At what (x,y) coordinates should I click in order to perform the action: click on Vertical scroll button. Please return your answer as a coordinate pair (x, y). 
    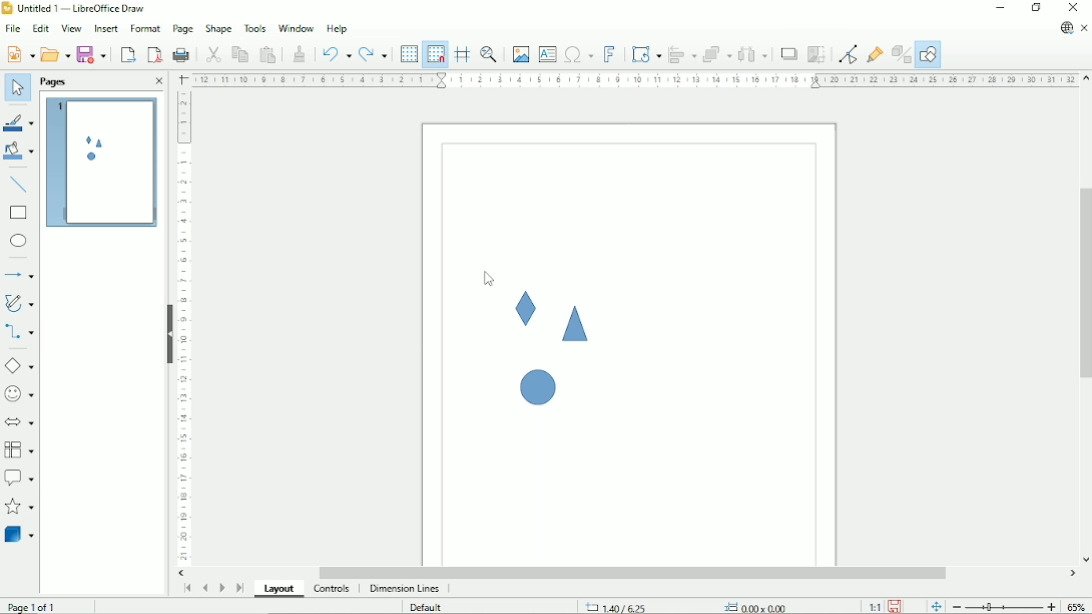
    Looking at the image, I should click on (1085, 560).